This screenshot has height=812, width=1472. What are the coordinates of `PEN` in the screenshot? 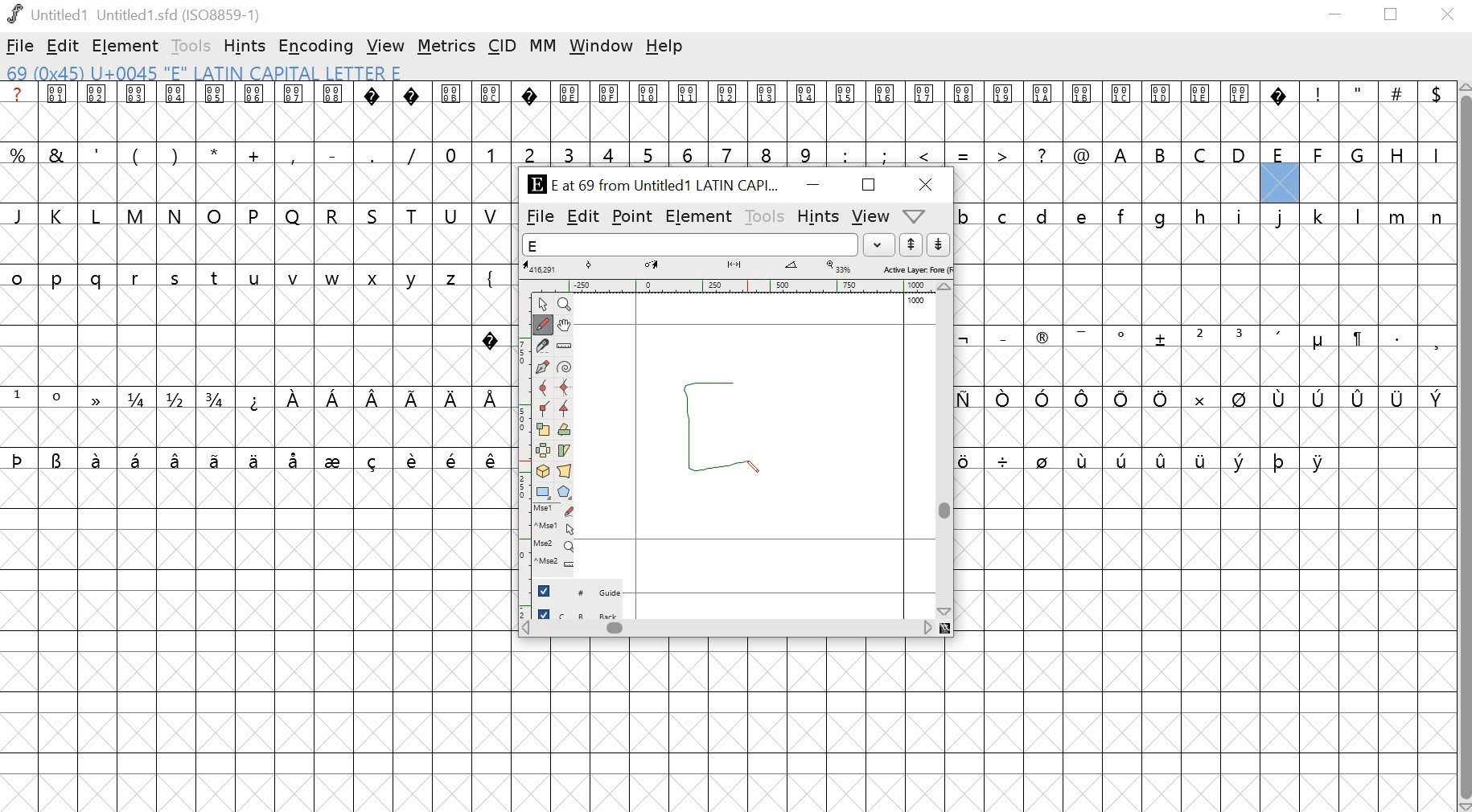 It's located at (754, 465).